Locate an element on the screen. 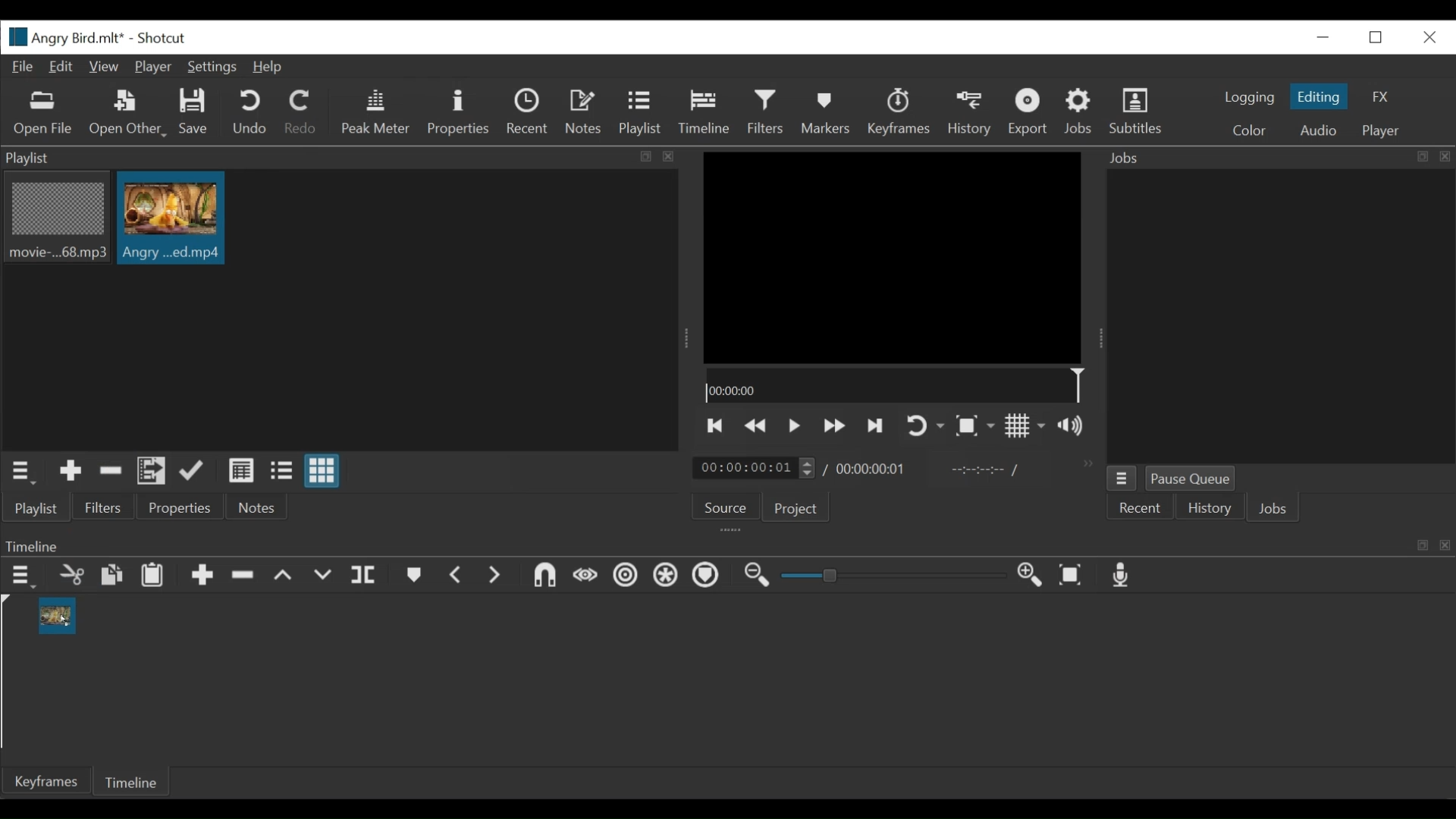 The image size is (1456, 819). Paste is located at coordinates (152, 576).